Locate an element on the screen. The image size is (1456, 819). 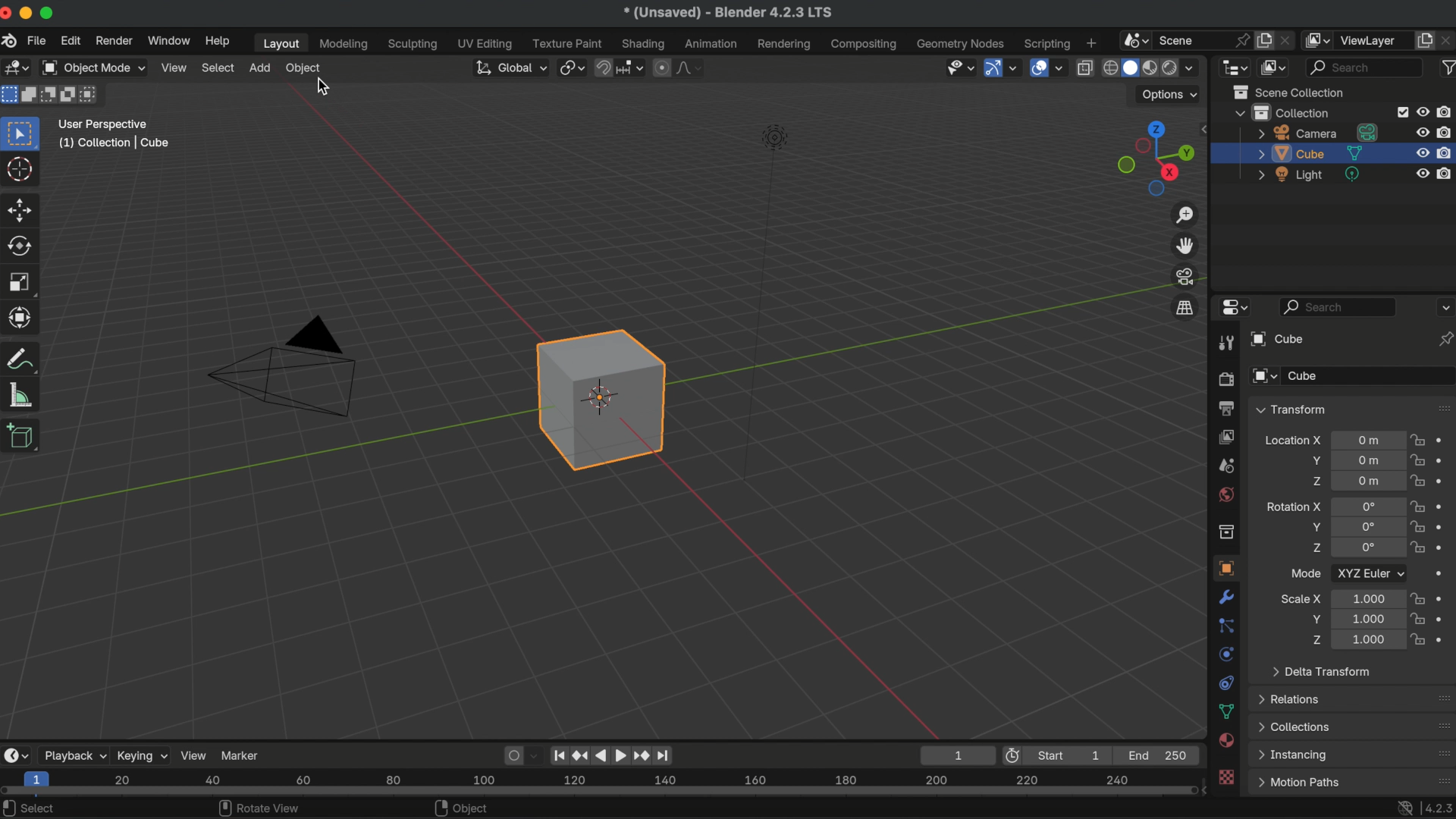
side bar settings is located at coordinates (1207, 127).